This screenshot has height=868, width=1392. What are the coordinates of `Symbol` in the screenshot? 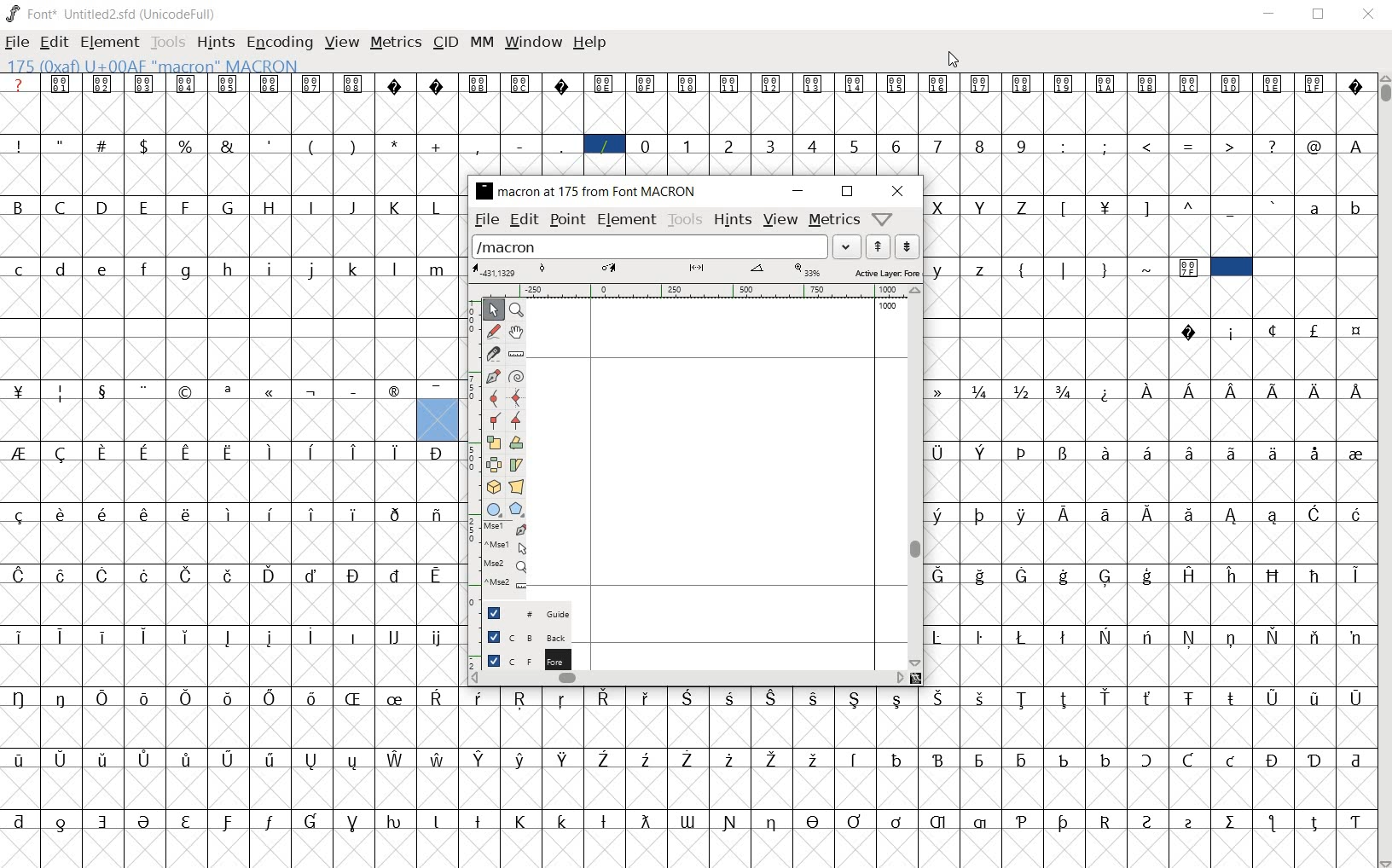 It's located at (980, 637).